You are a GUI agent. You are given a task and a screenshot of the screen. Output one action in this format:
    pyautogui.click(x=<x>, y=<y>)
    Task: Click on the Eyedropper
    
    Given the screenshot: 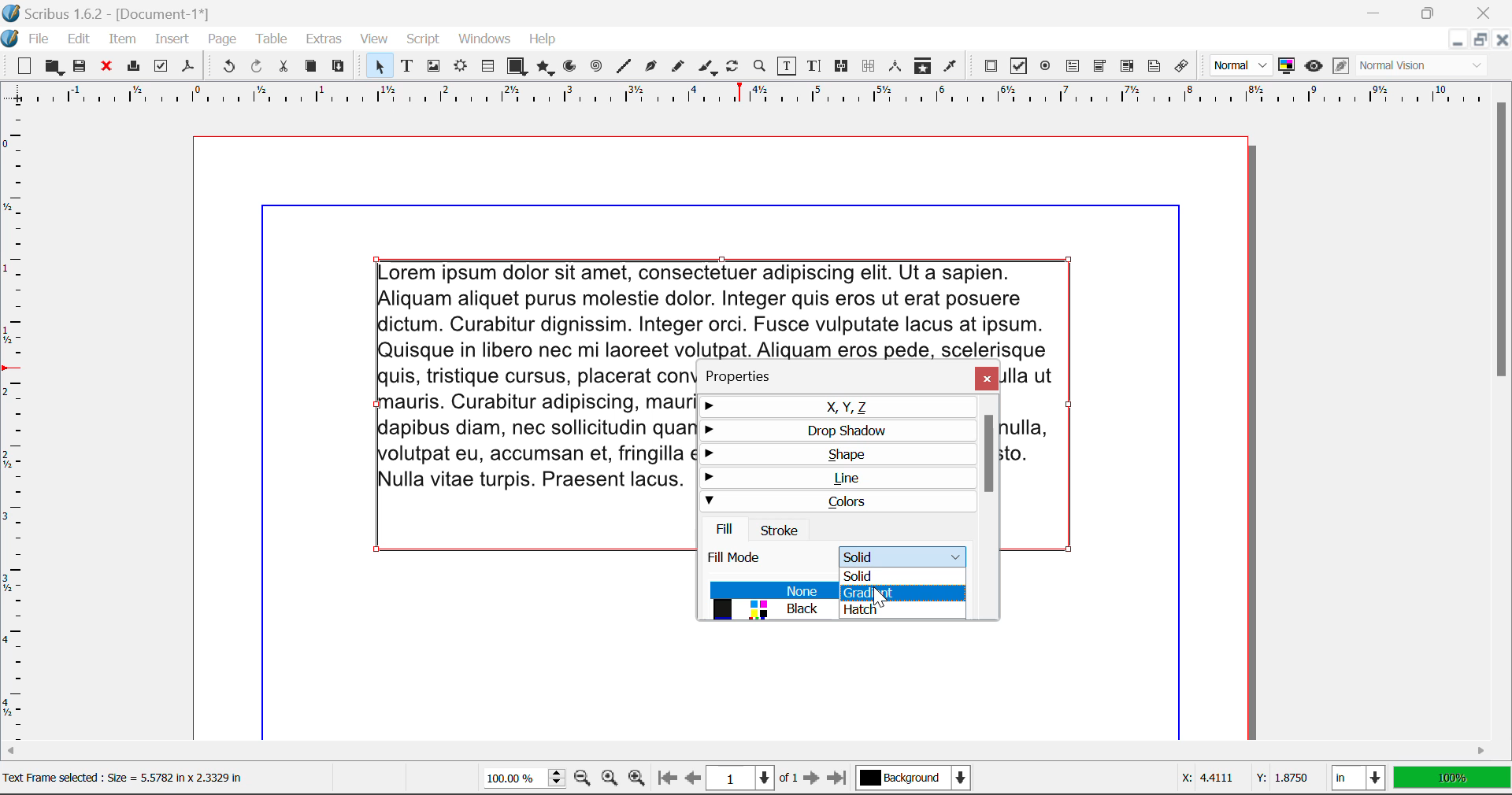 What is the action you would take?
    pyautogui.click(x=950, y=68)
    